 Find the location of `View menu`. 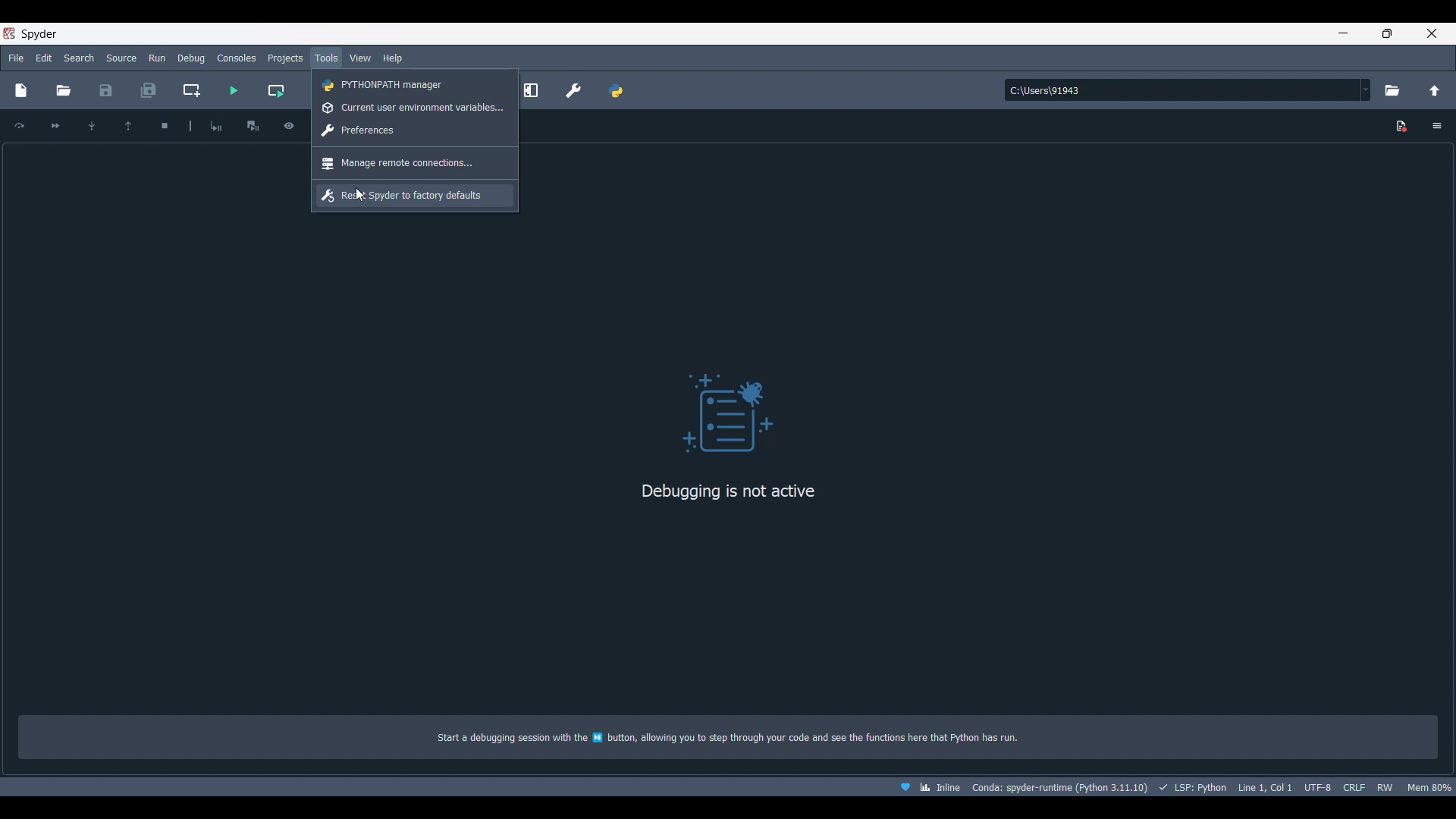

View menu is located at coordinates (359, 58).